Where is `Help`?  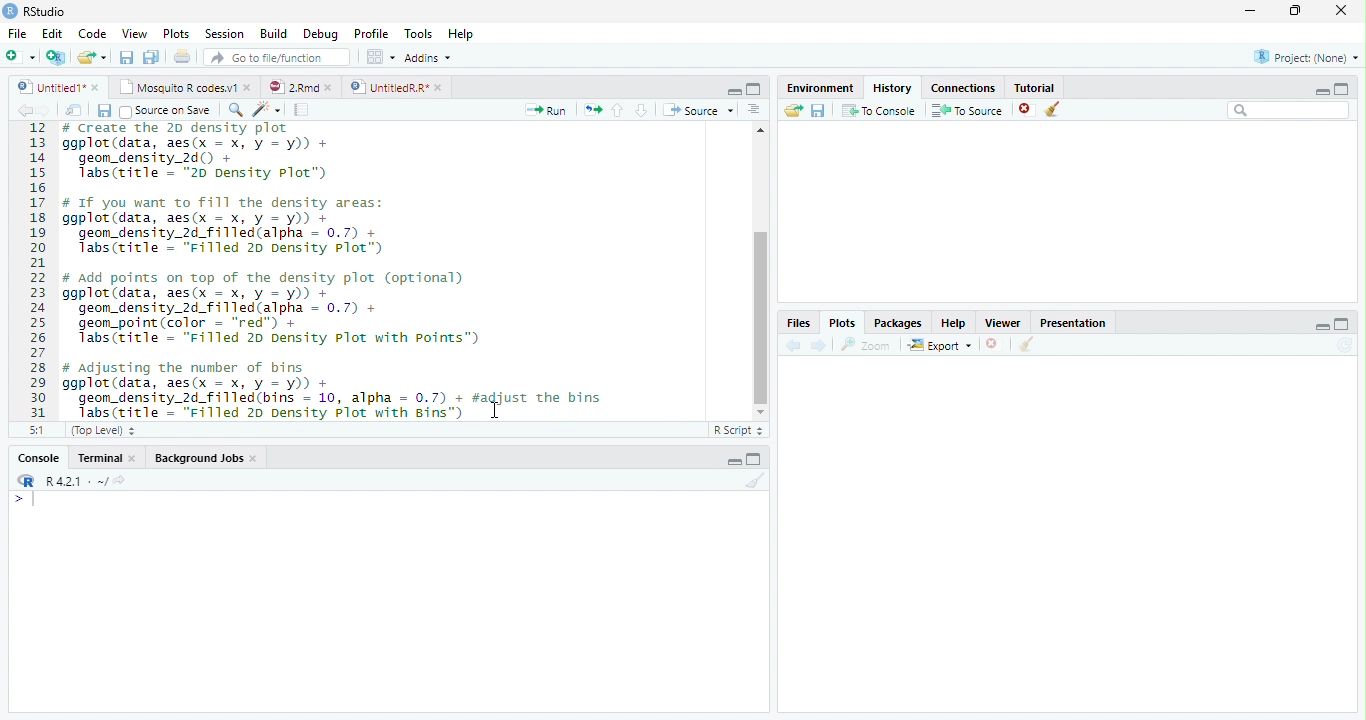 Help is located at coordinates (953, 325).